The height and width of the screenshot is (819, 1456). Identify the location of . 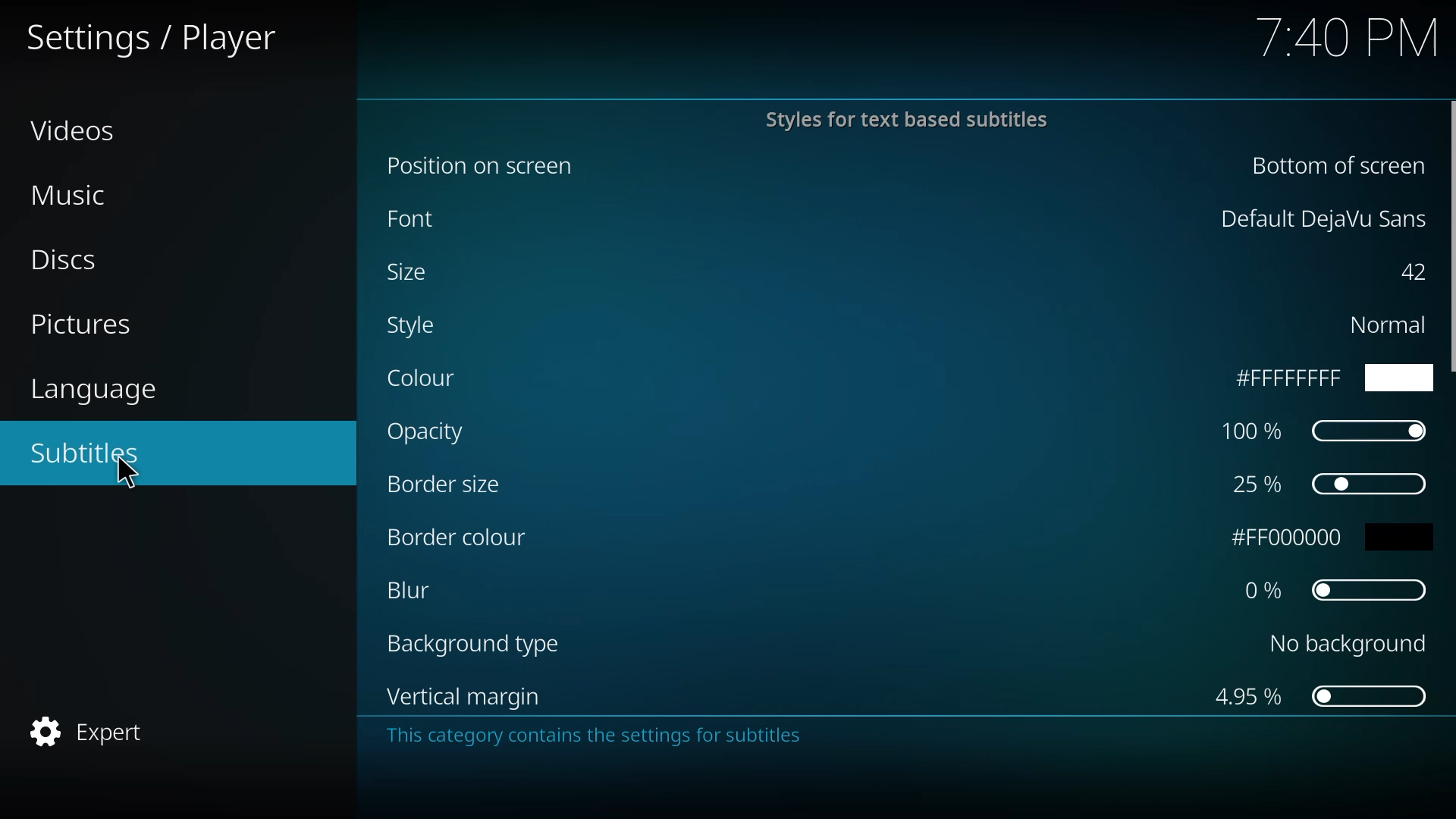
(155, 39).